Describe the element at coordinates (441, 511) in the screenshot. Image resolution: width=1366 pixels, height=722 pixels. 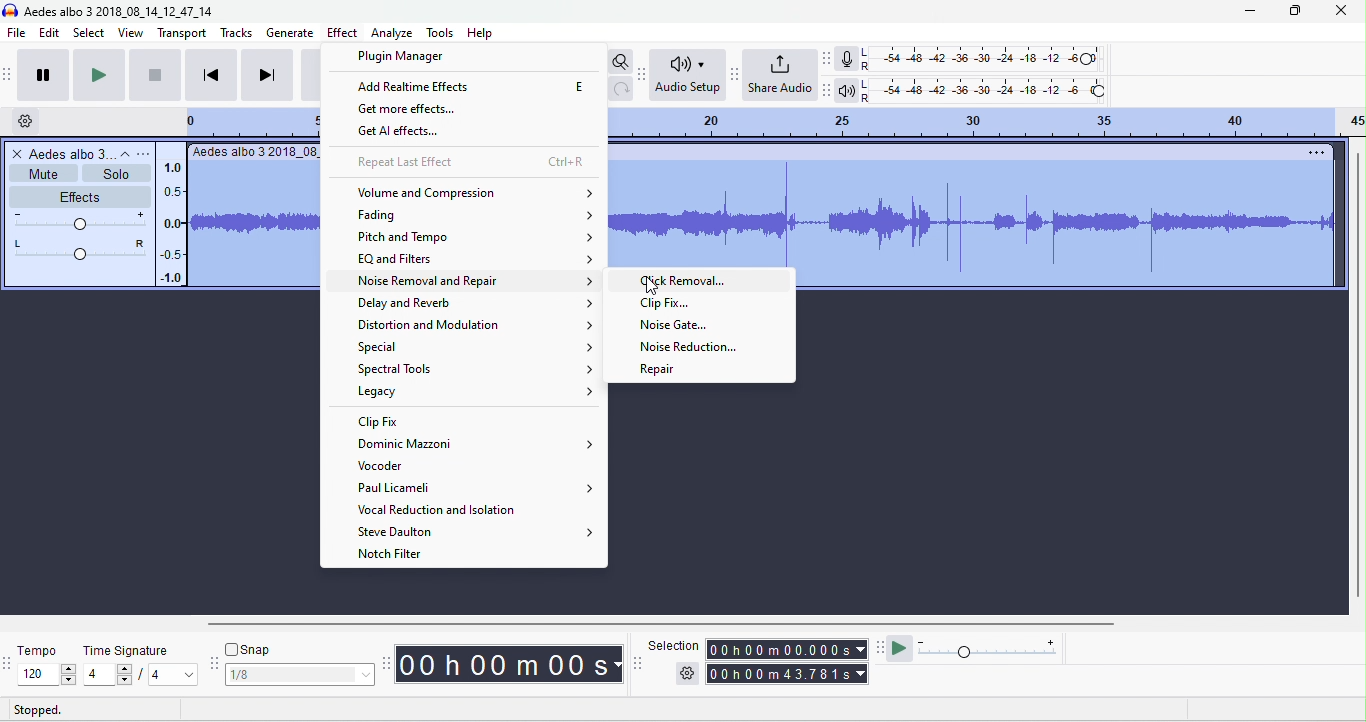
I see `vocal reduction and isolation` at that location.